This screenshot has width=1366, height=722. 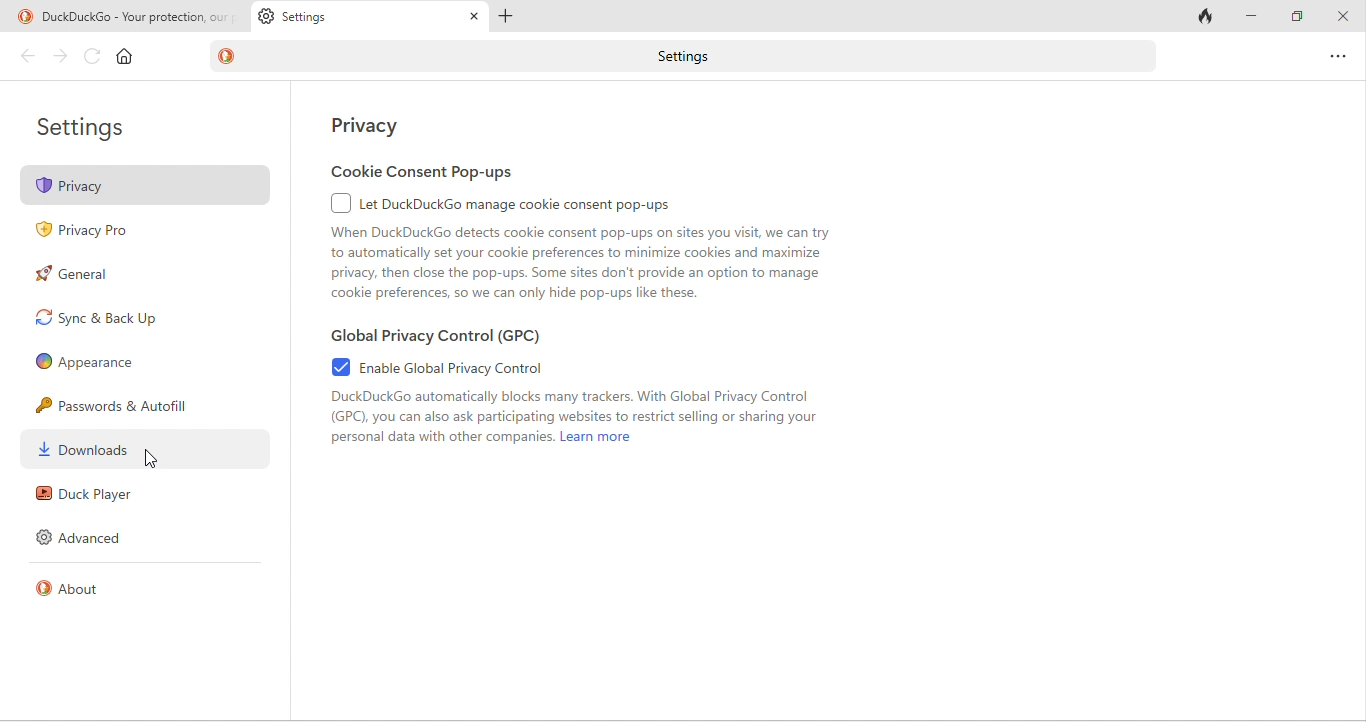 I want to click on Let DuckDuckGo manage cookie consent pop-ups, so click(x=520, y=204).